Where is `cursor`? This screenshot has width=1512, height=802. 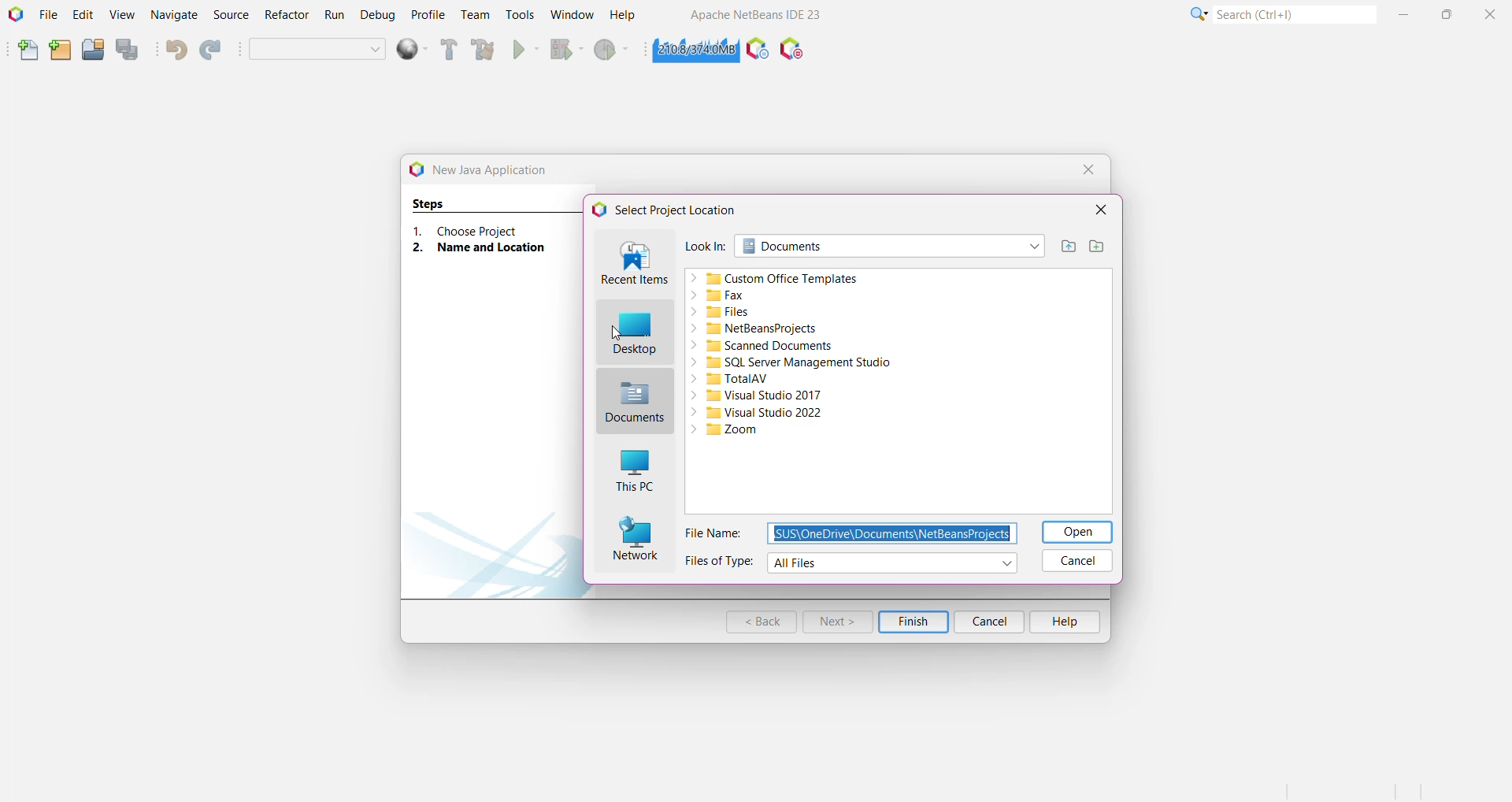 cursor is located at coordinates (614, 335).